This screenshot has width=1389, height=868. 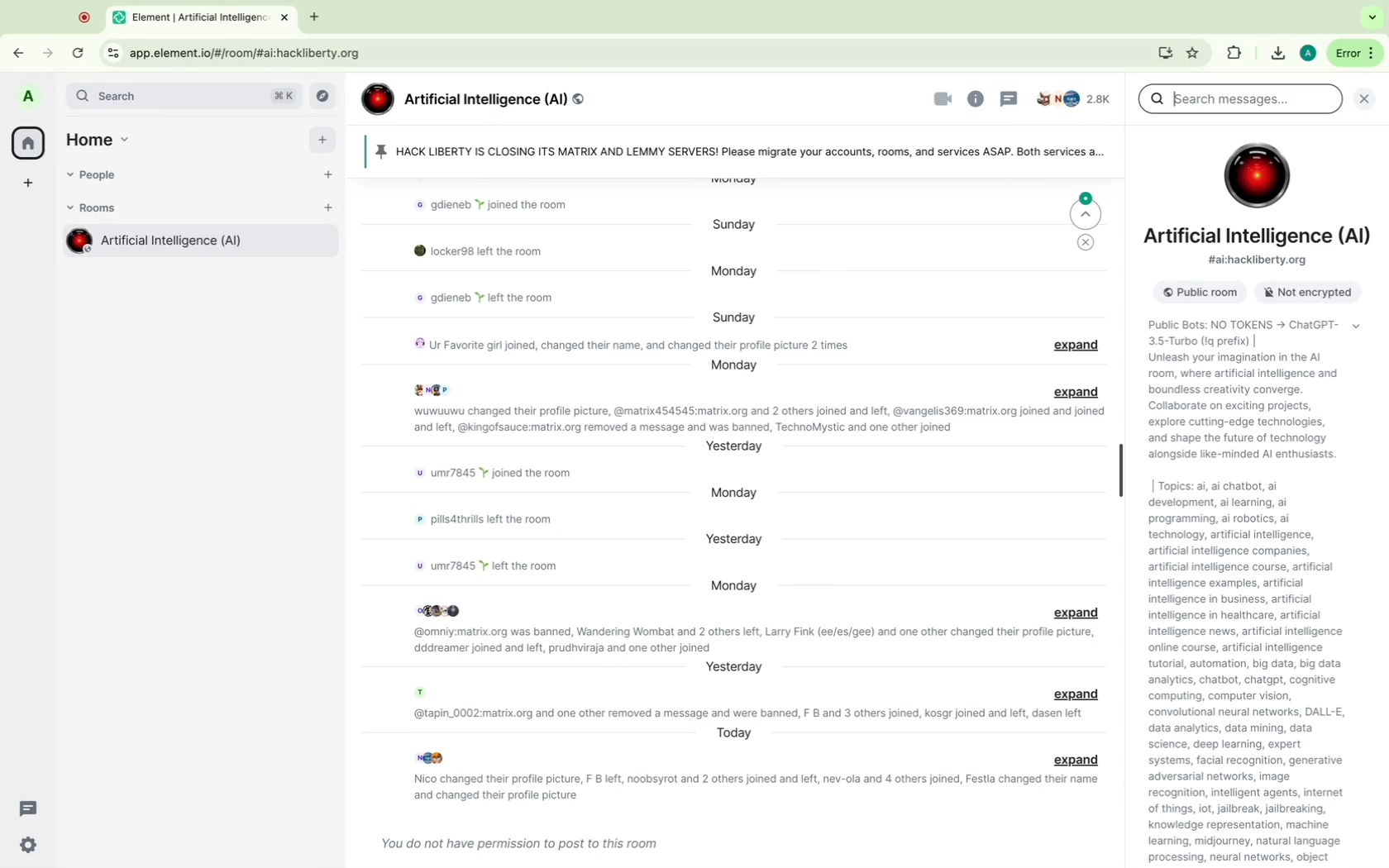 What do you see at coordinates (943, 99) in the screenshot?
I see `video` at bounding box center [943, 99].